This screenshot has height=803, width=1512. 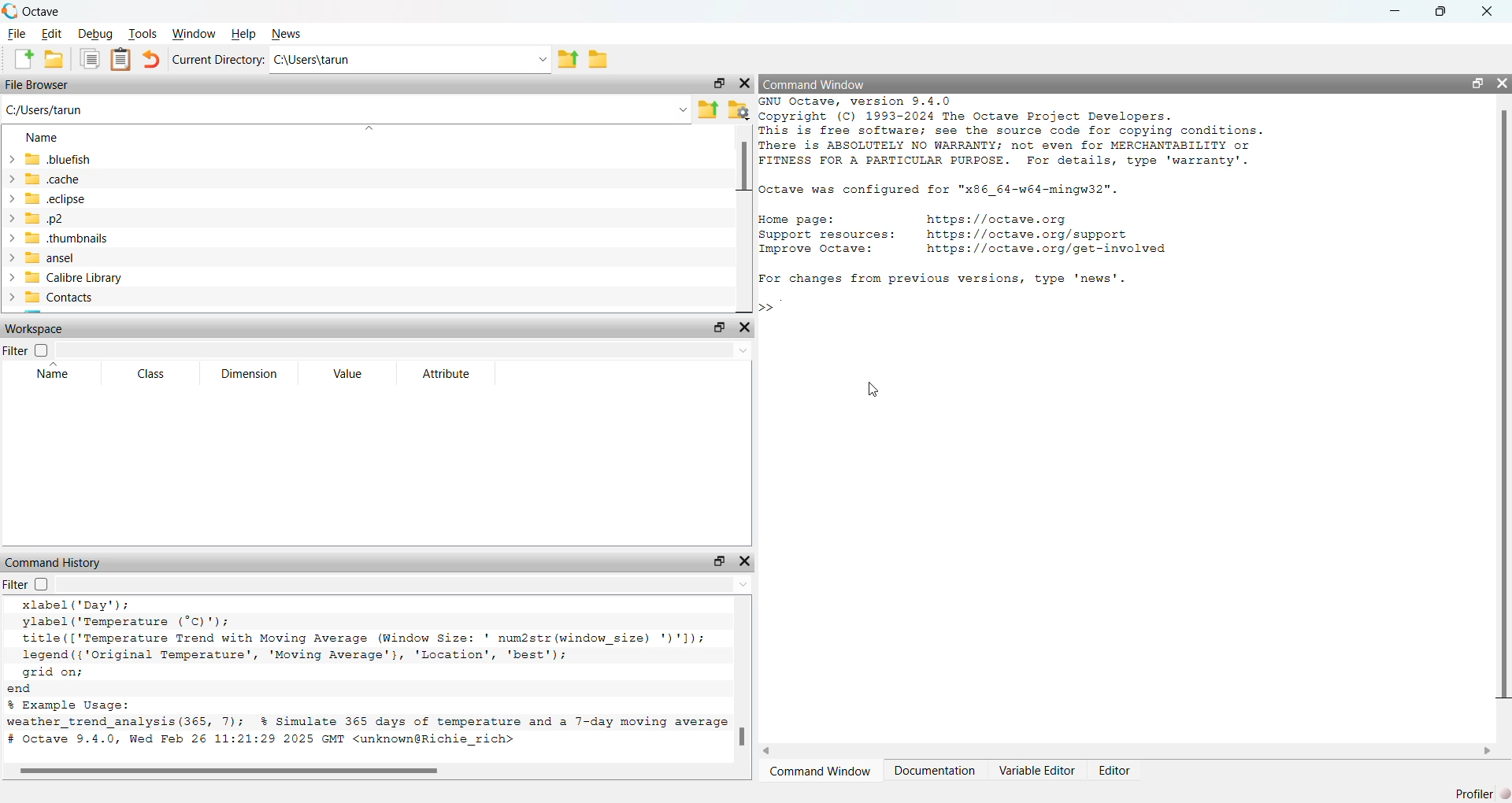 I want to click on xlabel('Day');
ylabel ("Temperature (°C)');
title(['Temperature Trend with Moving Average (Window Size: ' num2str(window_size) ')'1);
legend ({'Original Temperature’, 'Moving Average'}, 'Location', 'best');
grid on;
end
% Example Usage:
weather_trend analysis (365, 7); % Simulate 365 days of temperature and a 7-day moving average
# Octave 9.4.0, Wed Feb 26 11:21:29 2025 GMT <unknown@Richie_rich>, so click(x=370, y=679).